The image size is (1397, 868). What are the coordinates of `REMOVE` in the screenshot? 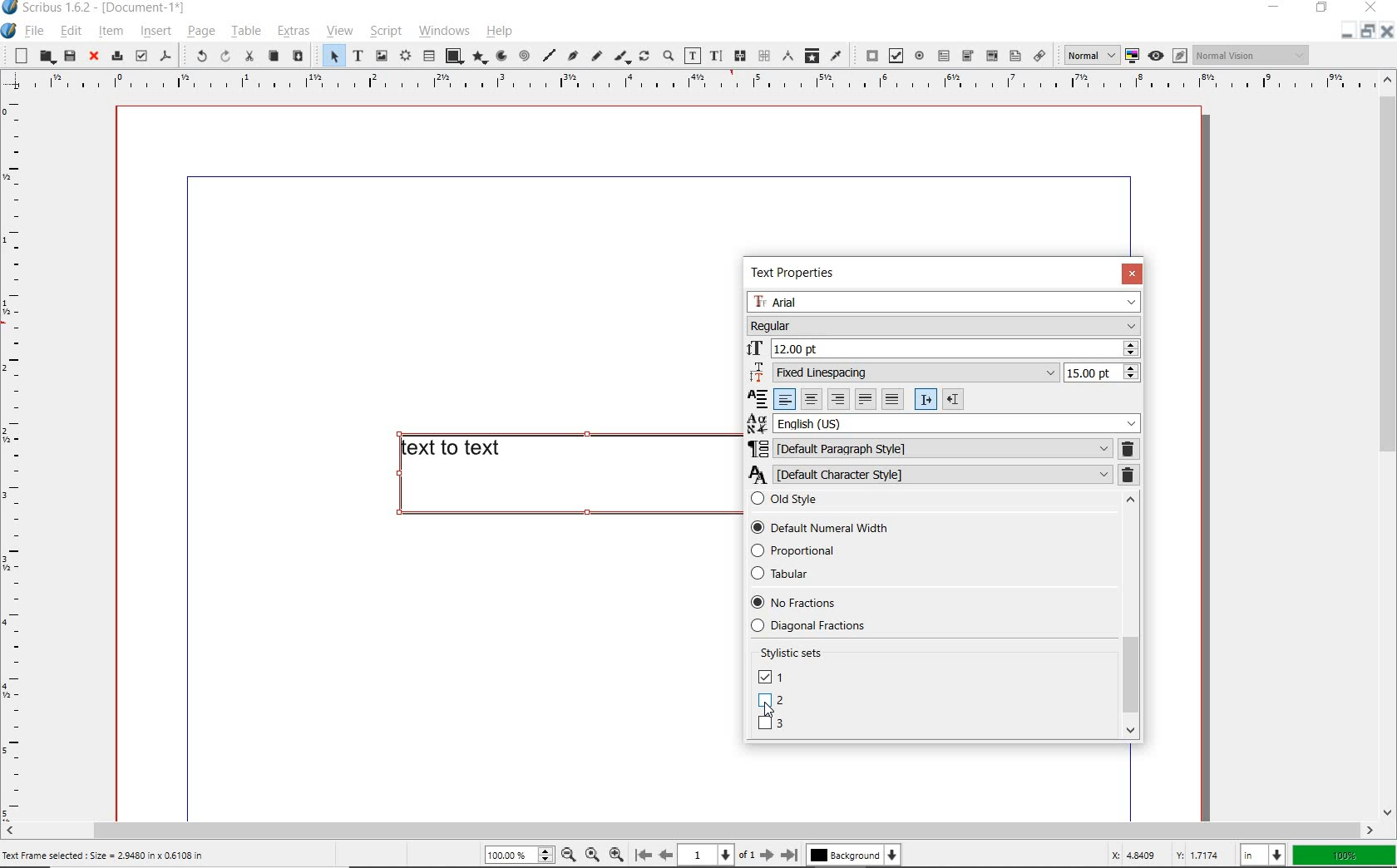 It's located at (1129, 462).